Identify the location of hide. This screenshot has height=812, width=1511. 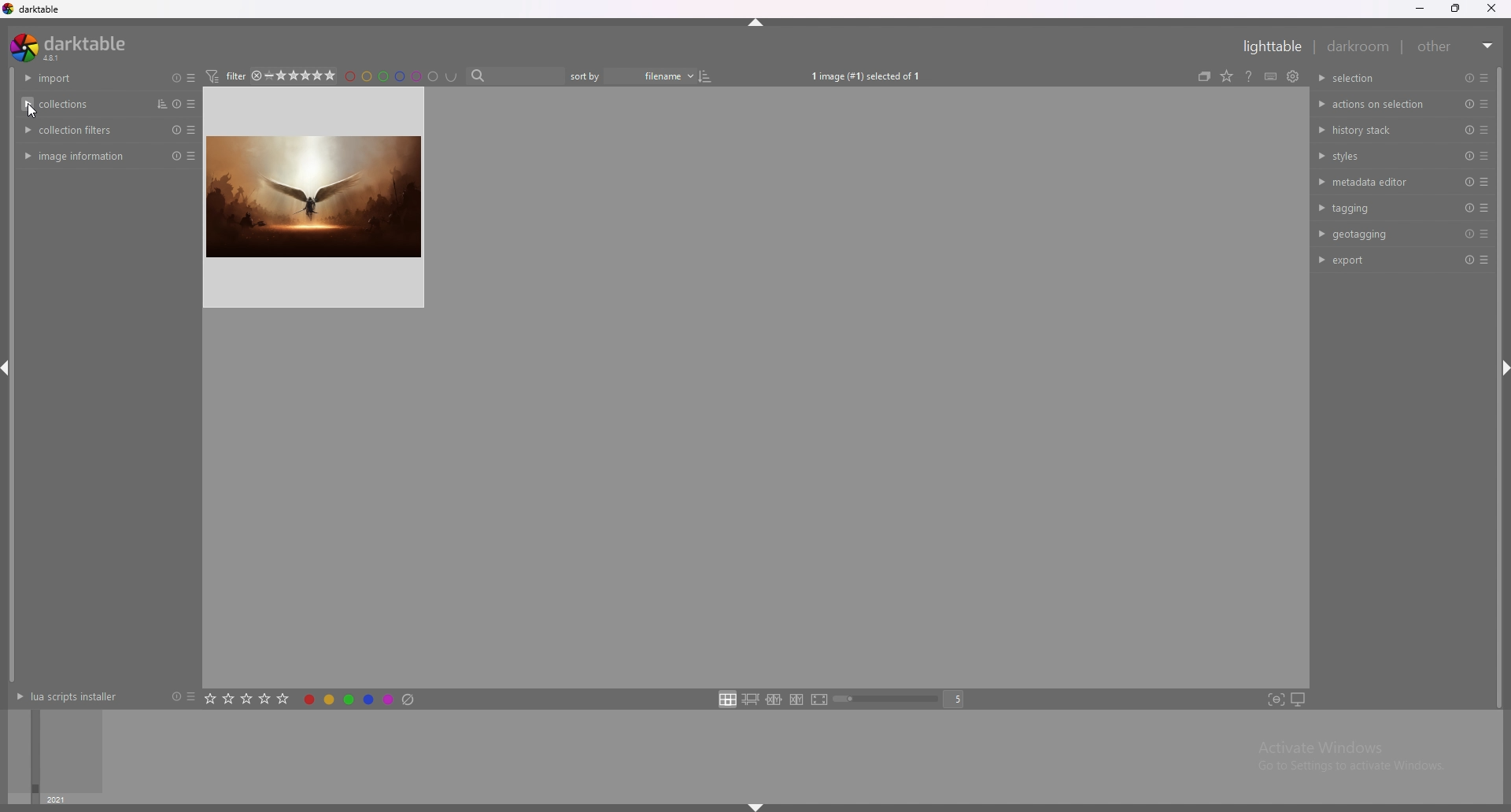
(752, 806).